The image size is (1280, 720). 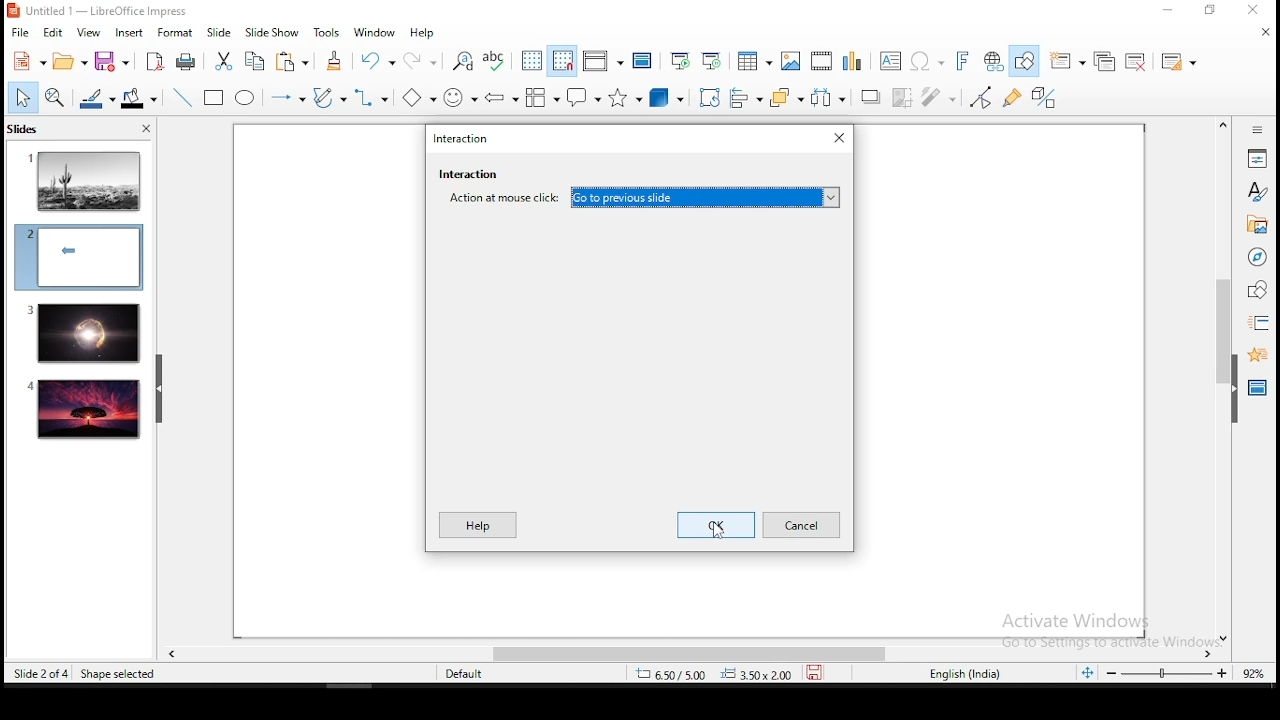 What do you see at coordinates (1254, 672) in the screenshot?
I see `zoom level` at bounding box center [1254, 672].